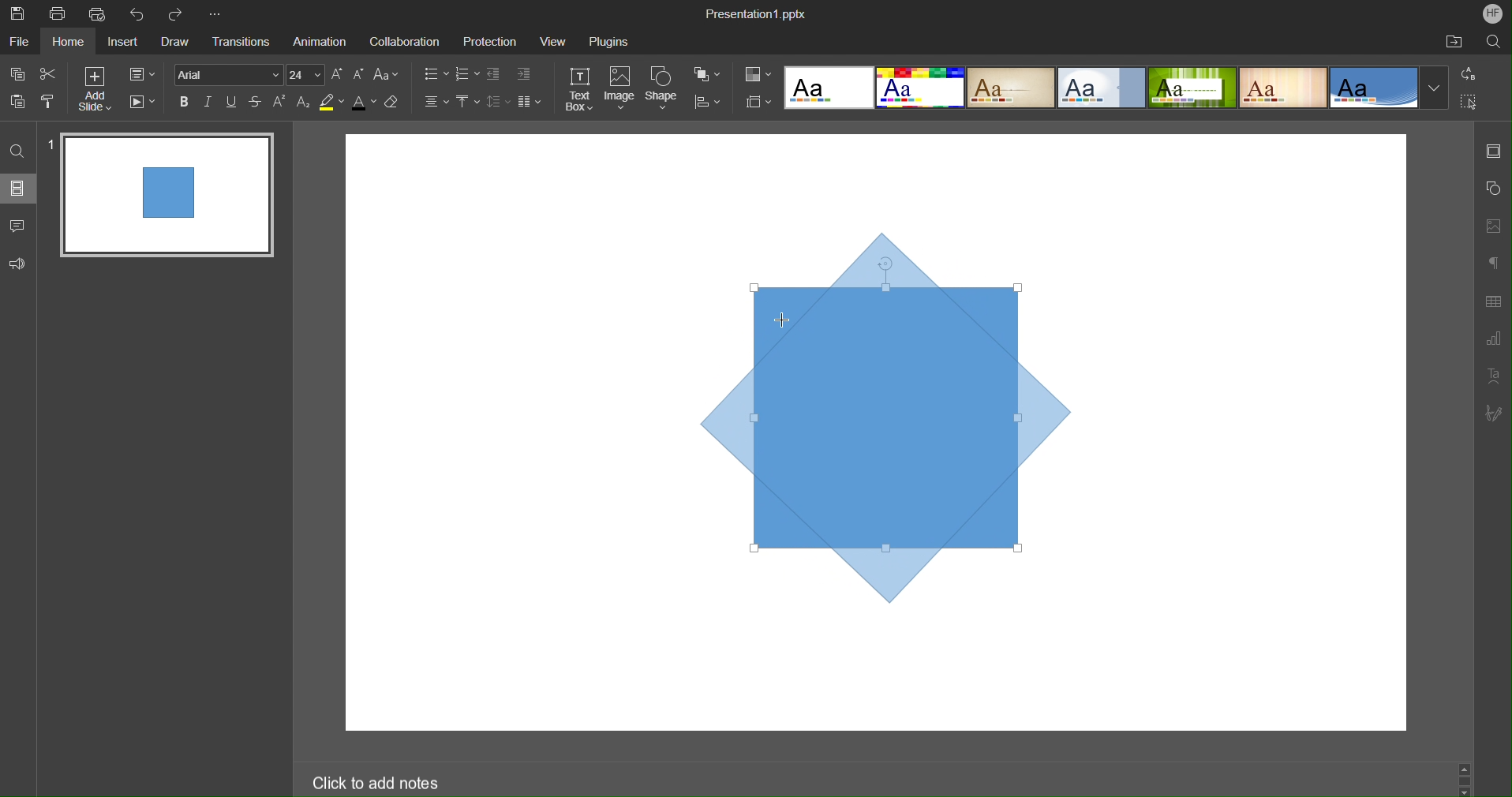 The image size is (1512, 797). What do you see at coordinates (215, 9) in the screenshot?
I see `More` at bounding box center [215, 9].